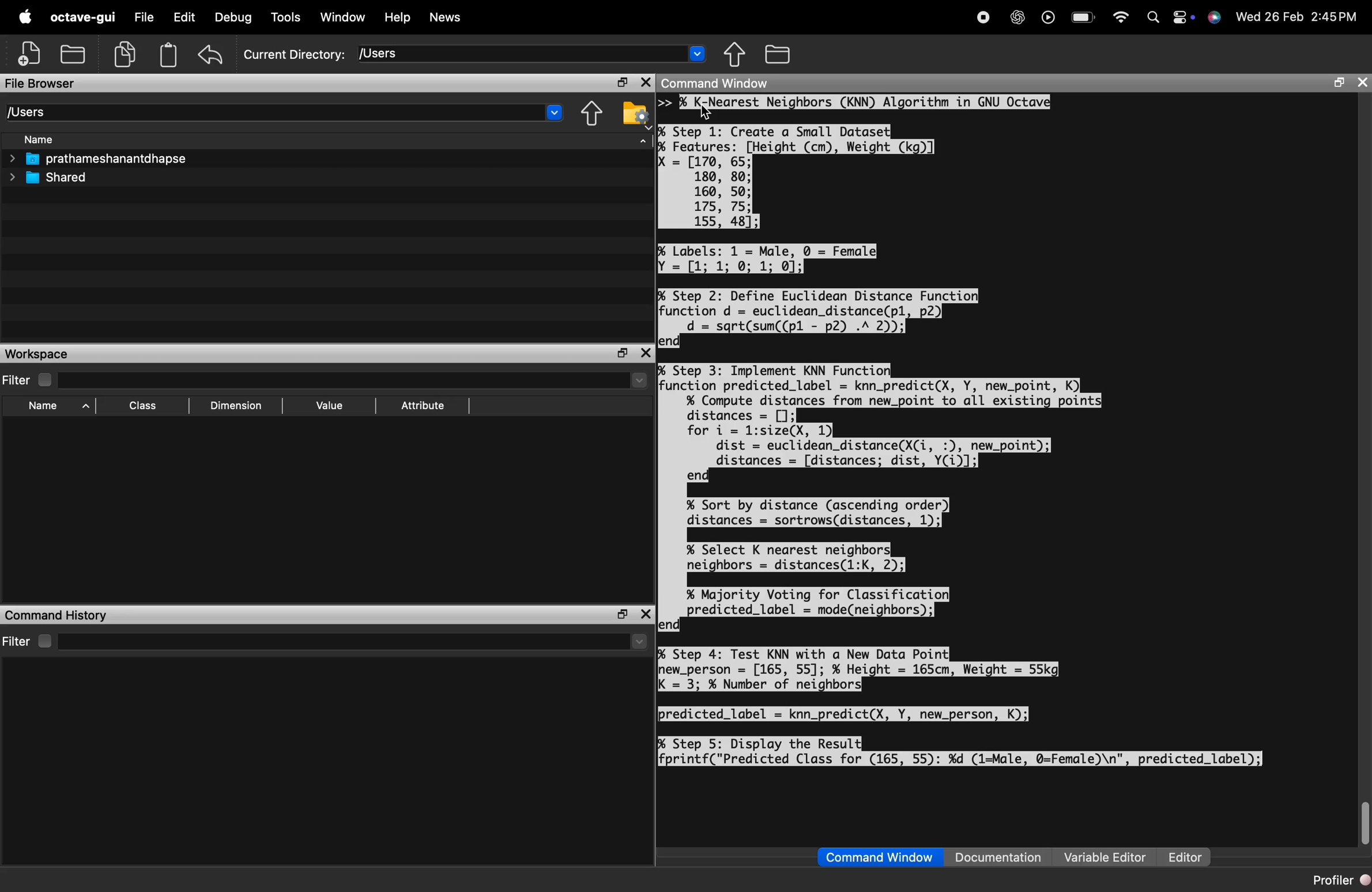 The image size is (1372, 892). I want to click on close, so click(644, 82).